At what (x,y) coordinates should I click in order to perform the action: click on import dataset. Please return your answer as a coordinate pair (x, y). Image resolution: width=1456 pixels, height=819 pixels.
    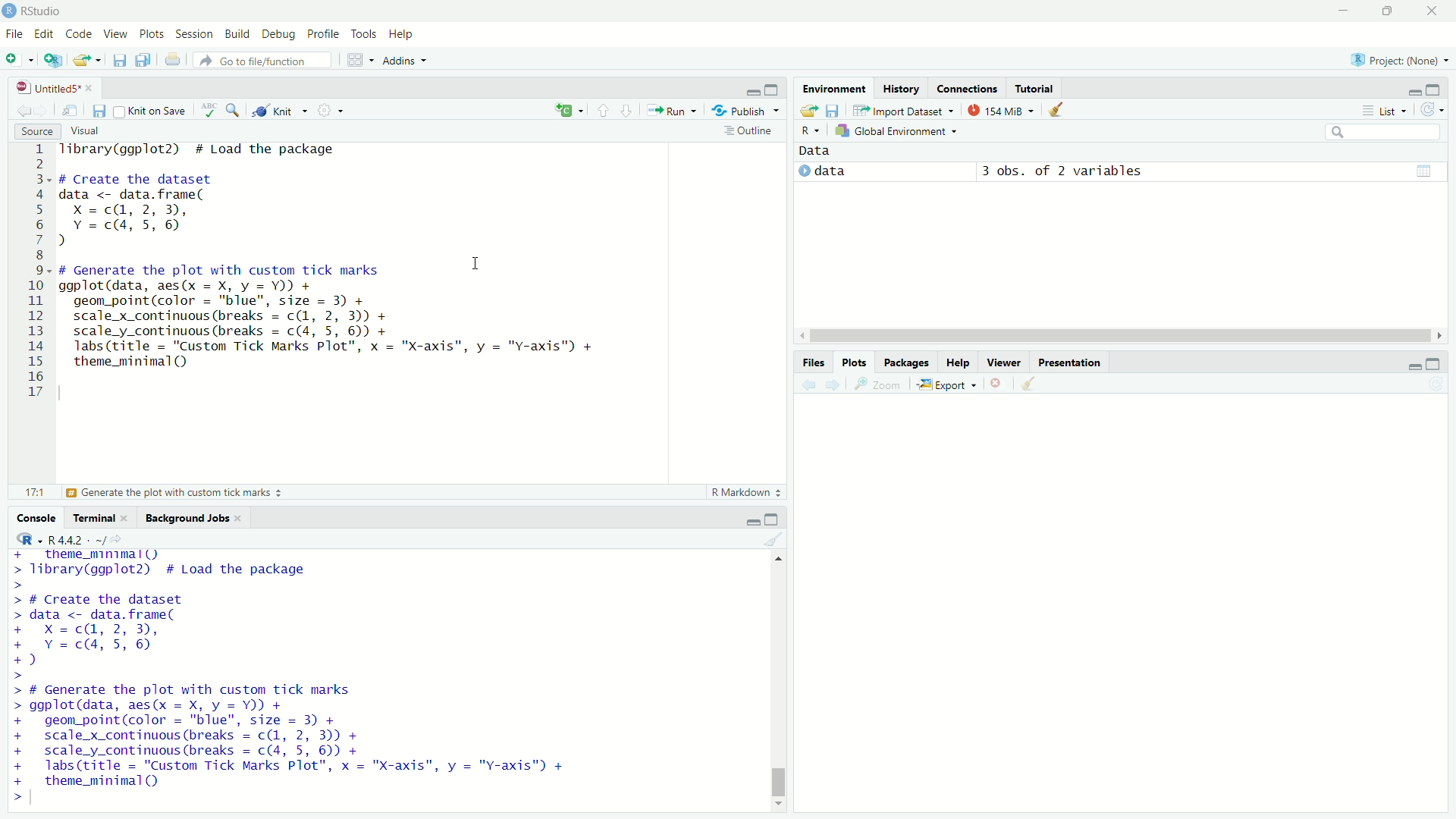
    Looking at the image, I should click on (905, 109).